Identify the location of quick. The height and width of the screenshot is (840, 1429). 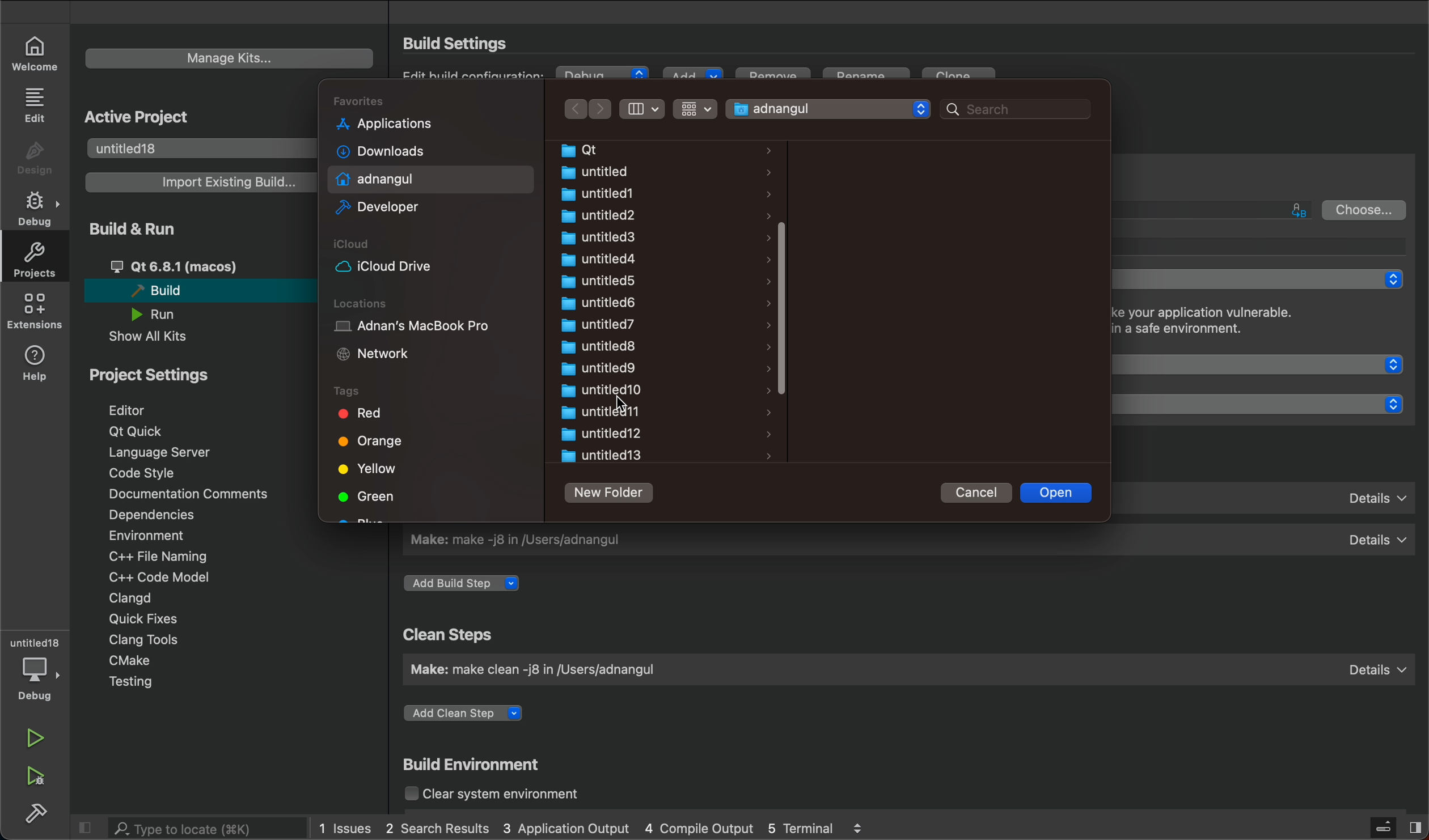
(137, 620).